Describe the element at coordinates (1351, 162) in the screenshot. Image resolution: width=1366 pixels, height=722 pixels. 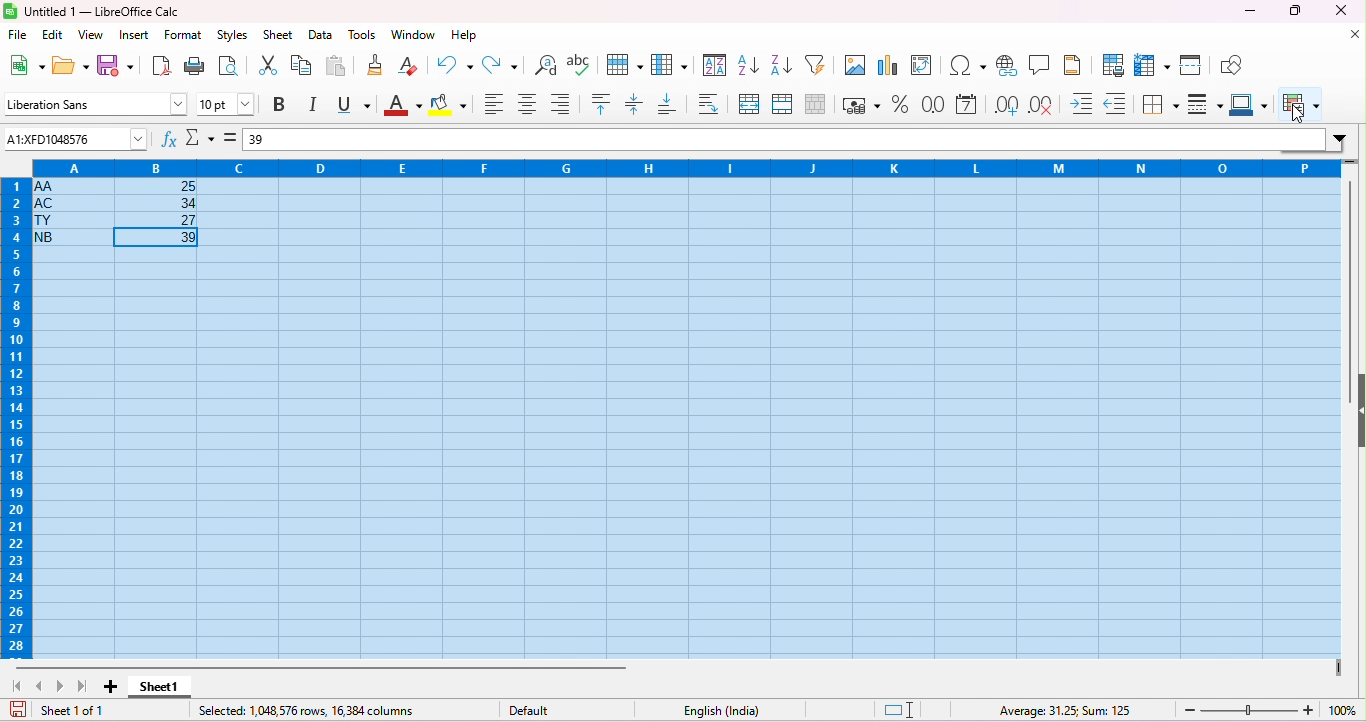
I see `drag to view rows` at that location.